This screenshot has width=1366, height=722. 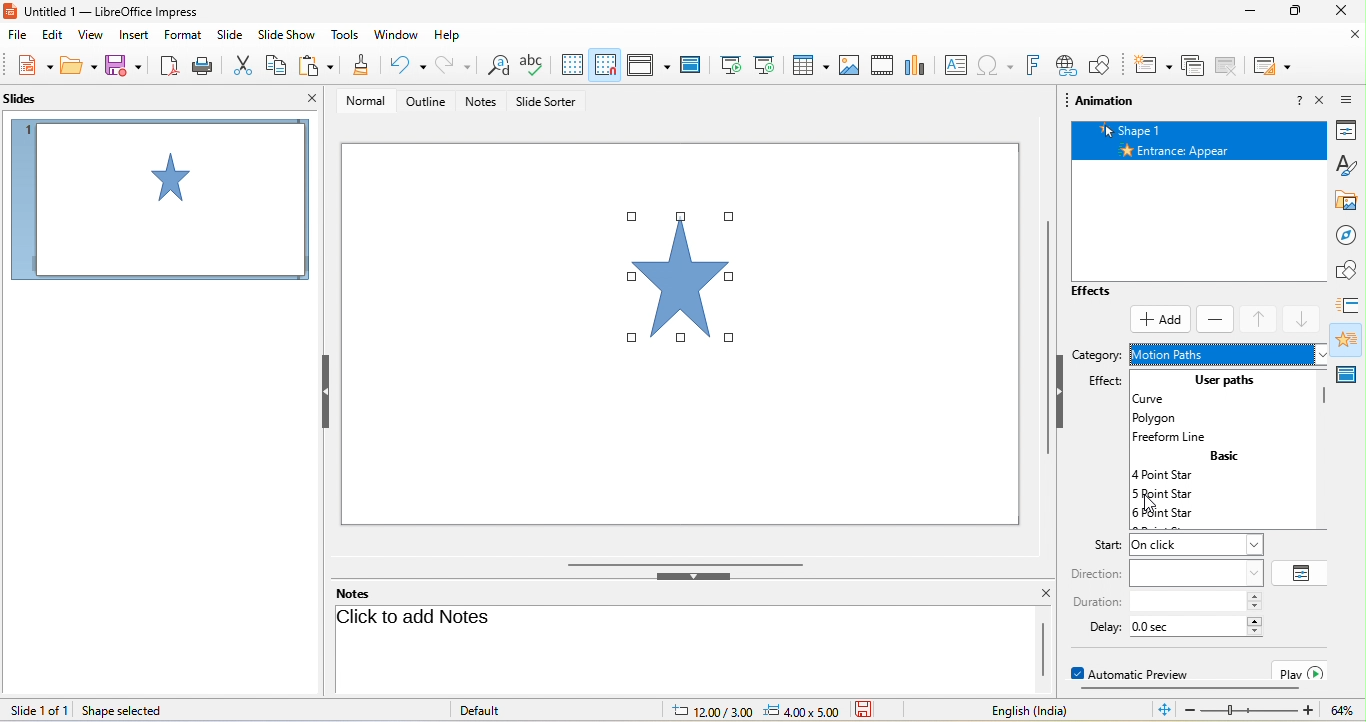 I want to click on master slide, so click(x=1350, y=370).